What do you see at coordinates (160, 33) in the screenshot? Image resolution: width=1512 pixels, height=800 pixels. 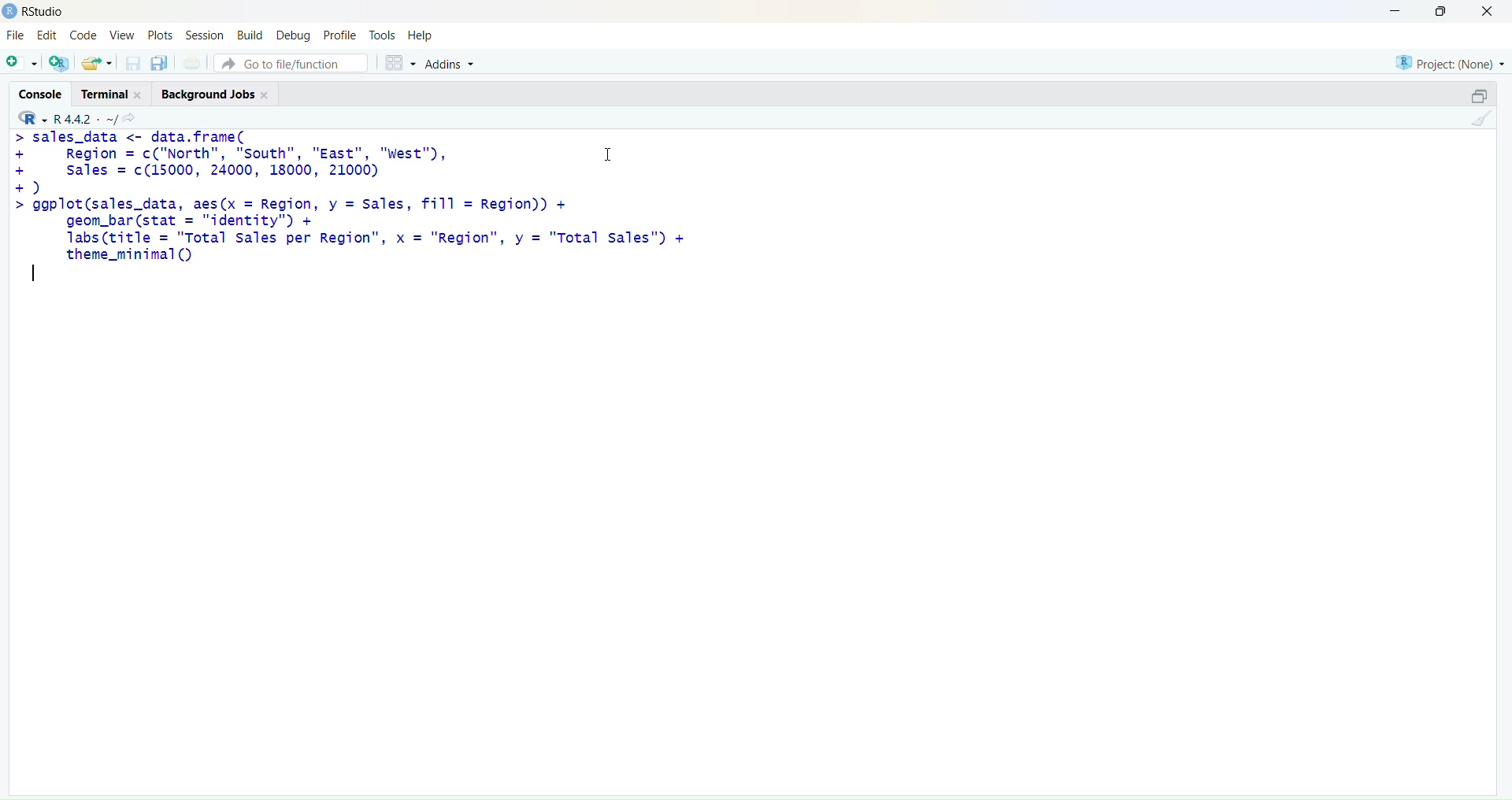 I see `Plots` at bounding box center [160, 33].